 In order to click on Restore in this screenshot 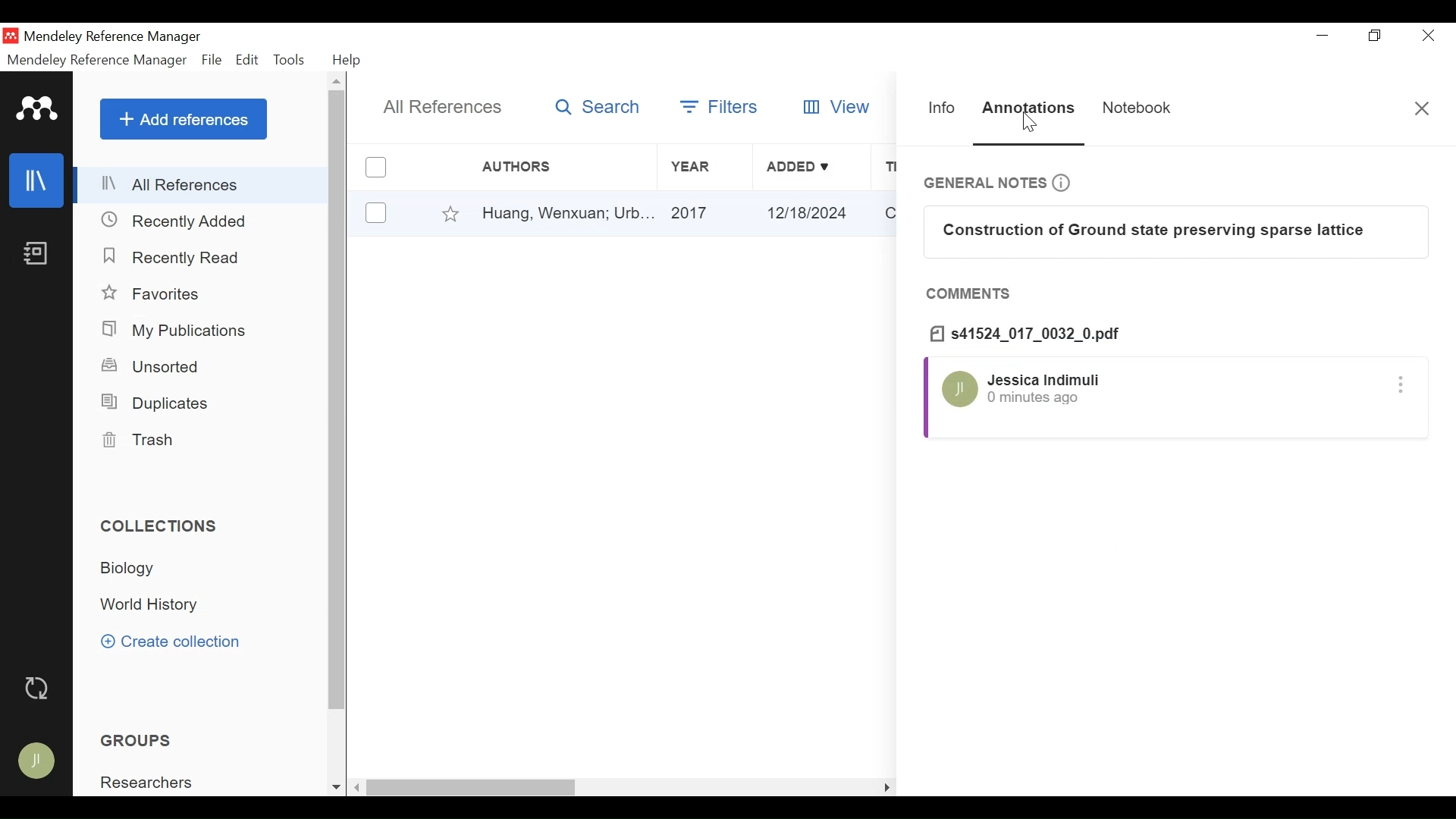, I will do `click(1375, 37)`.